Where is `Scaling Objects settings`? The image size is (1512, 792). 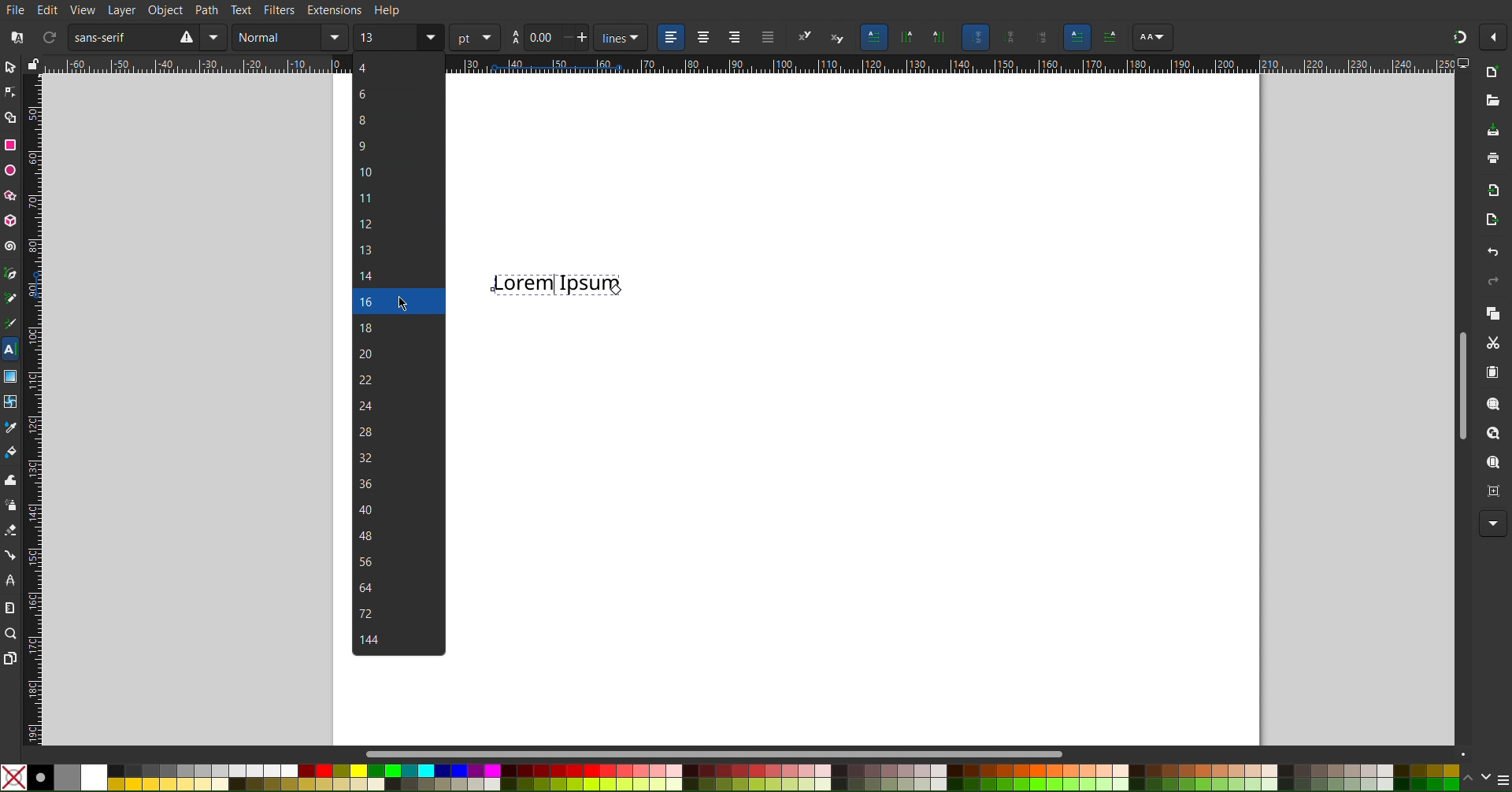
Scaling Objects settings is located at coordinates (939, 37).